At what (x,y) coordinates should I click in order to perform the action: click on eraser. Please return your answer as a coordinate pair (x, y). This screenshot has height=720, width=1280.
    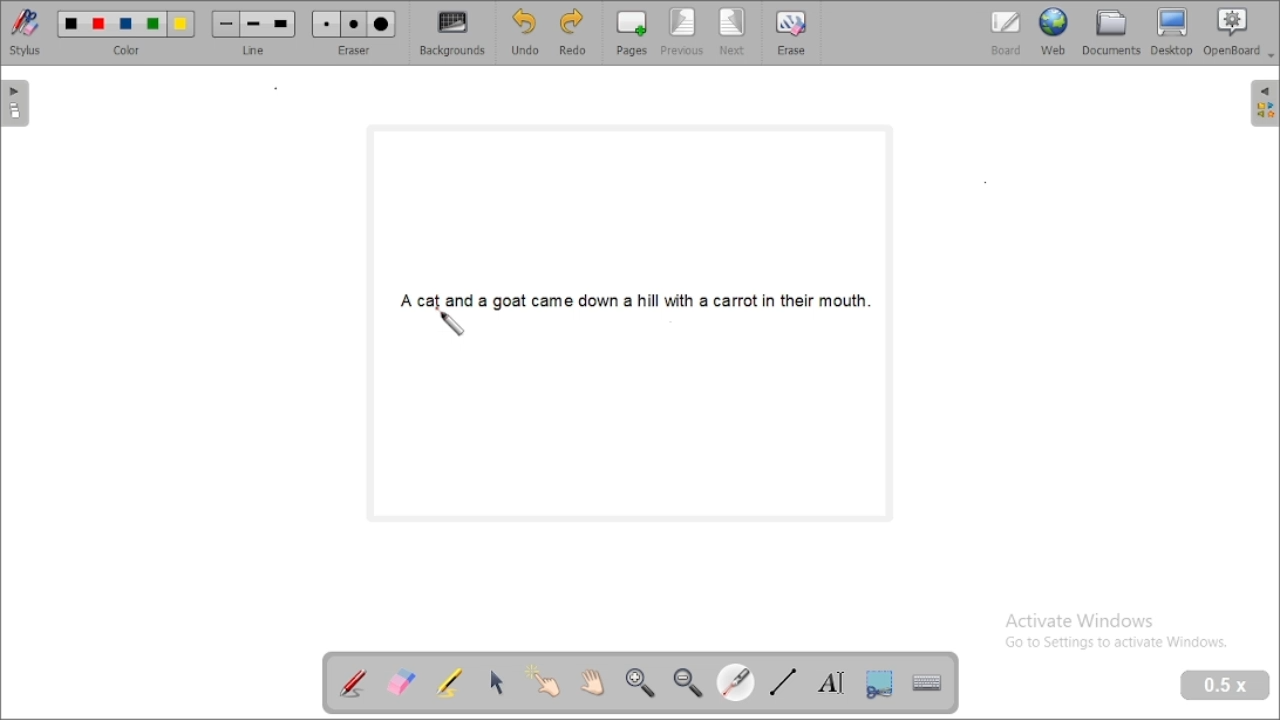
    Looking at the image, I should click on (353, 33).